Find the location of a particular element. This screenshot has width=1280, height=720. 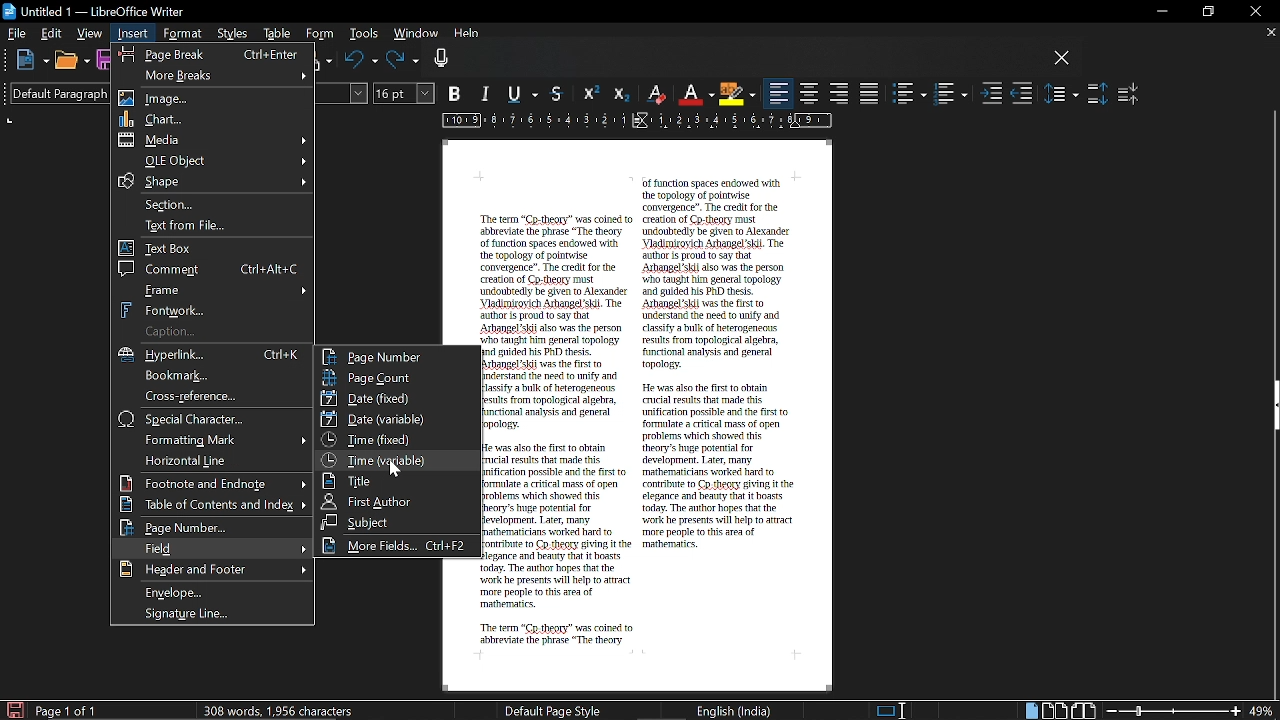

The first author  is located at coordinates (397, 501).